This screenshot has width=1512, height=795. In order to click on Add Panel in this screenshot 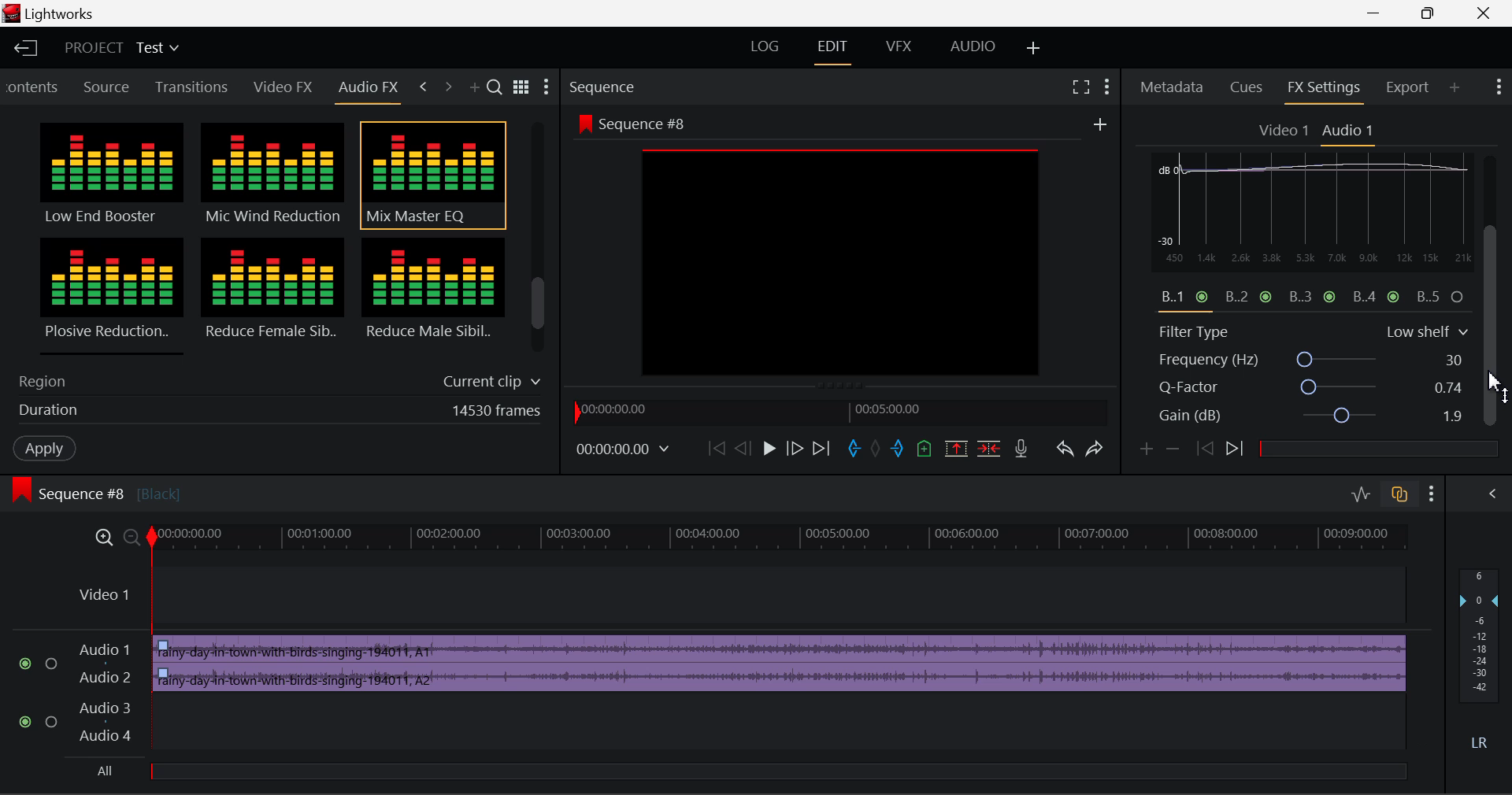, I will do `click(1455, 89)`.